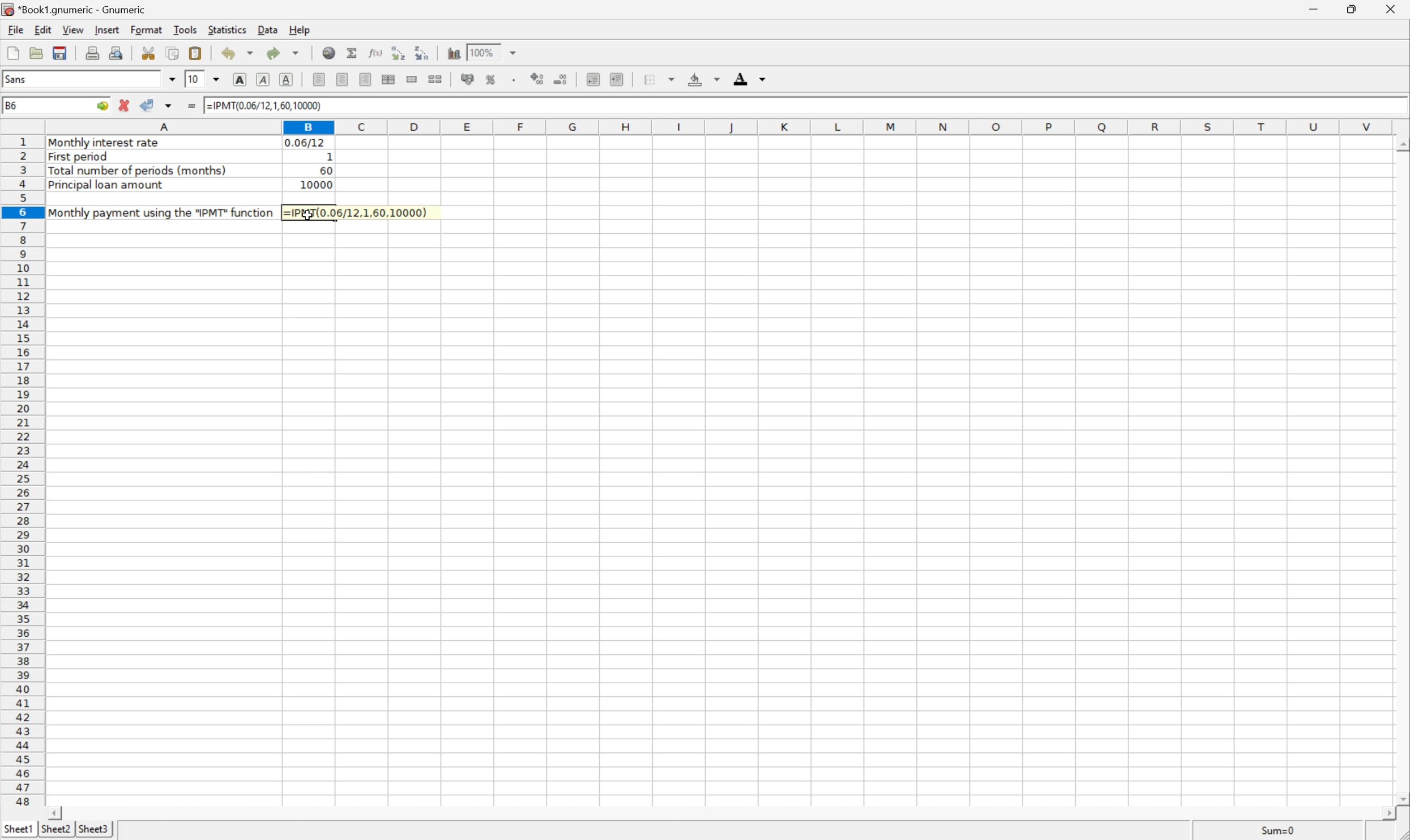  I want to click on Center horizontally, so click(343, 79).